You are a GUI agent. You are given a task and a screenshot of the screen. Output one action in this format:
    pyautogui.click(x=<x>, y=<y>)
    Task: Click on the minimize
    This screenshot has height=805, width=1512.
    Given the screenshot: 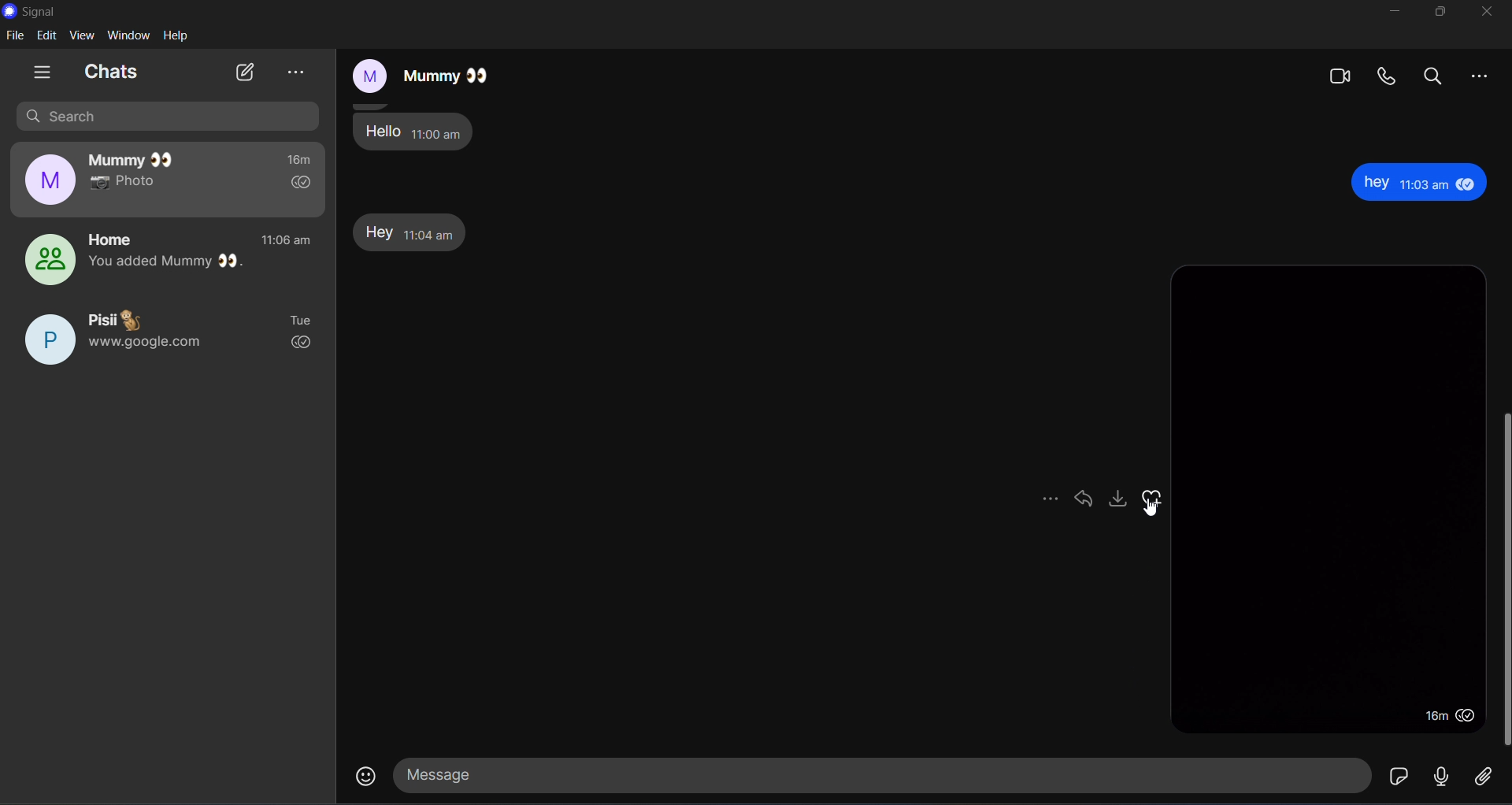 What is the action you would take?
    pyautogui.click(x=1395, y=13)
    